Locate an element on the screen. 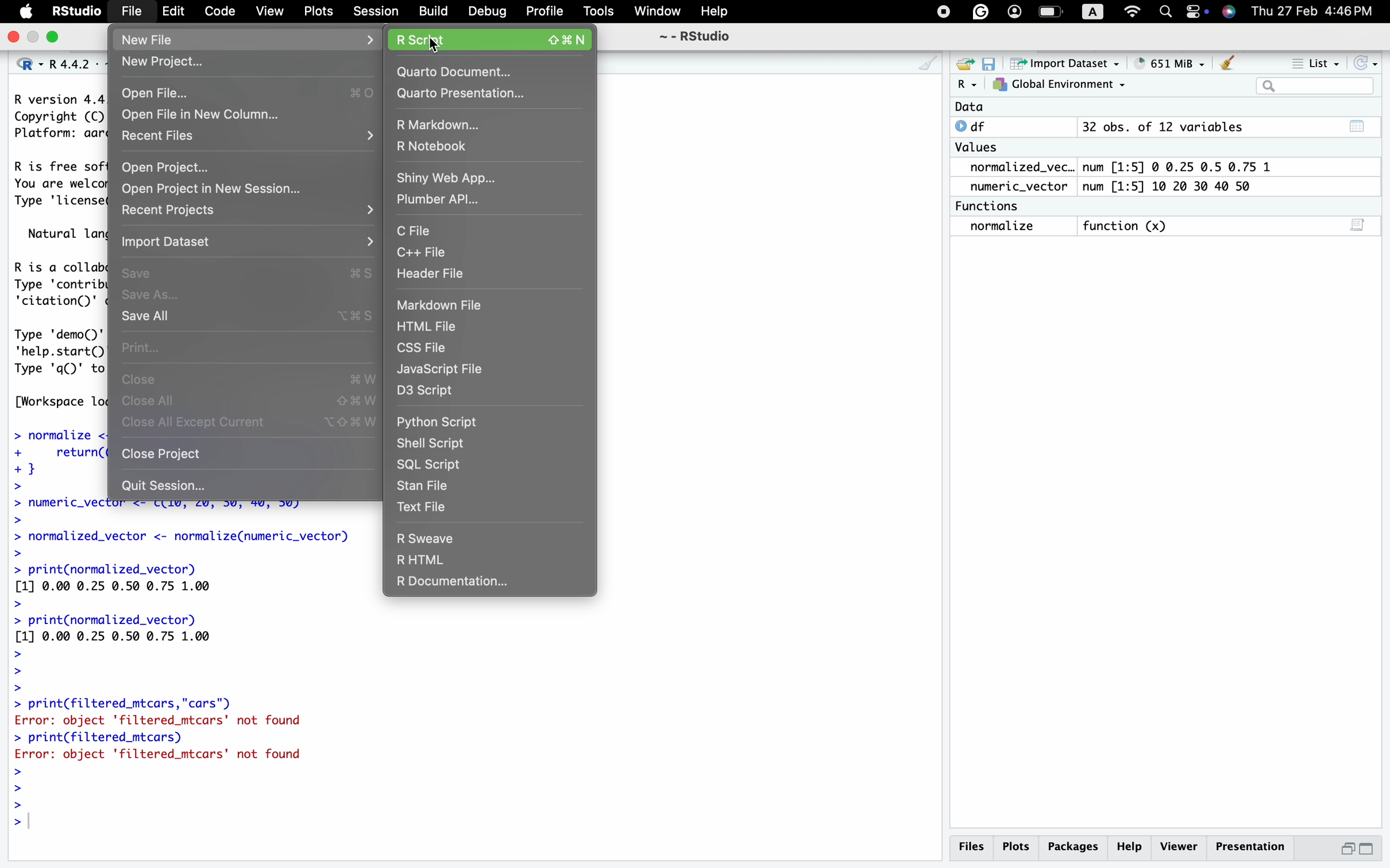 This screenshot has height=868, width=1390. Markdown File is located at coordinates (443, 307).